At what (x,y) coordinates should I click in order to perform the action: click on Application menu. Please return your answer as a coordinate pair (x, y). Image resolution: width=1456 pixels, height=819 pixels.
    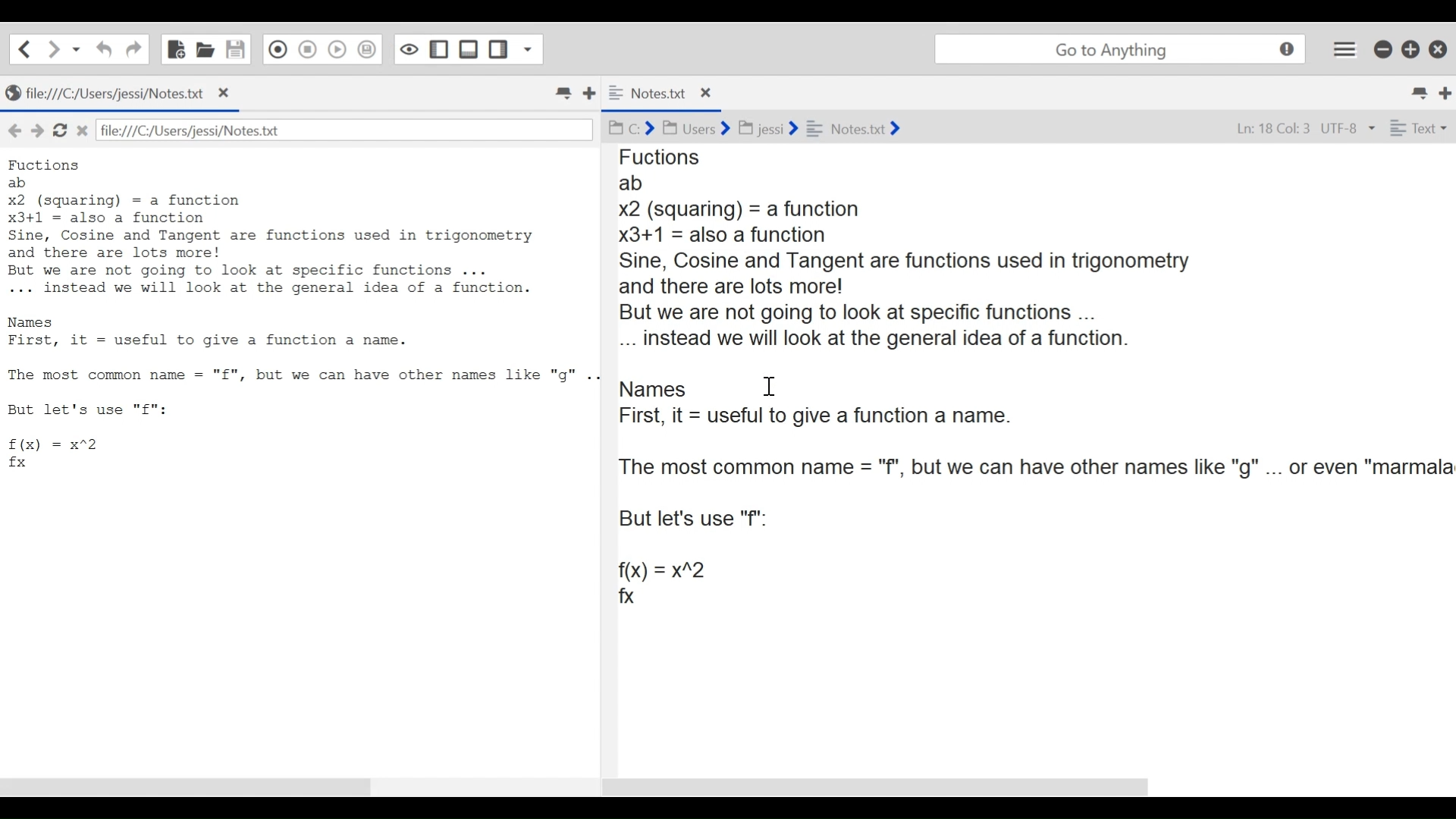
    Looking at the image, I should click on (1344, 47).